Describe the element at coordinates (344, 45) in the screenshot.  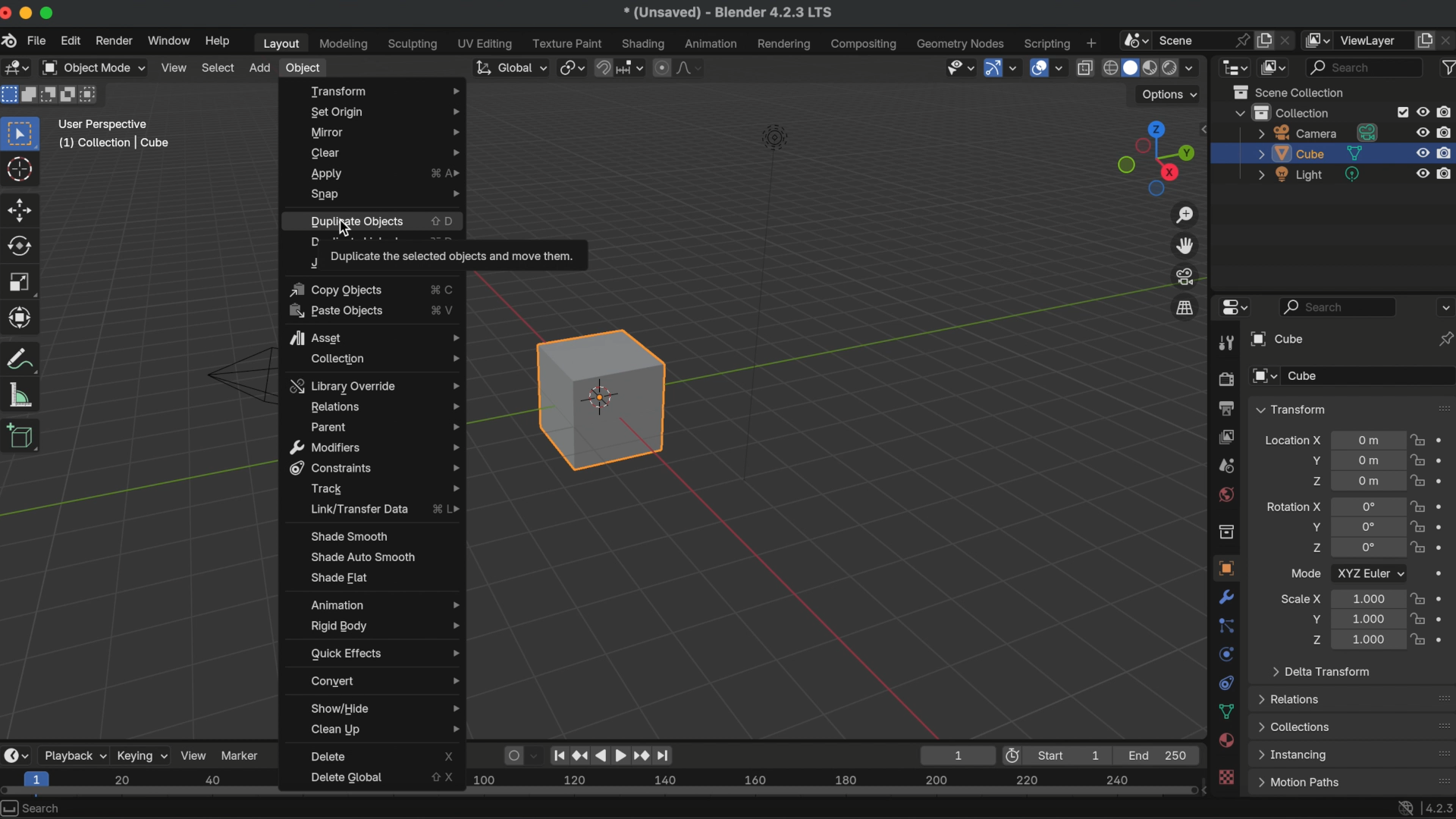
I see `modelling` at that location.